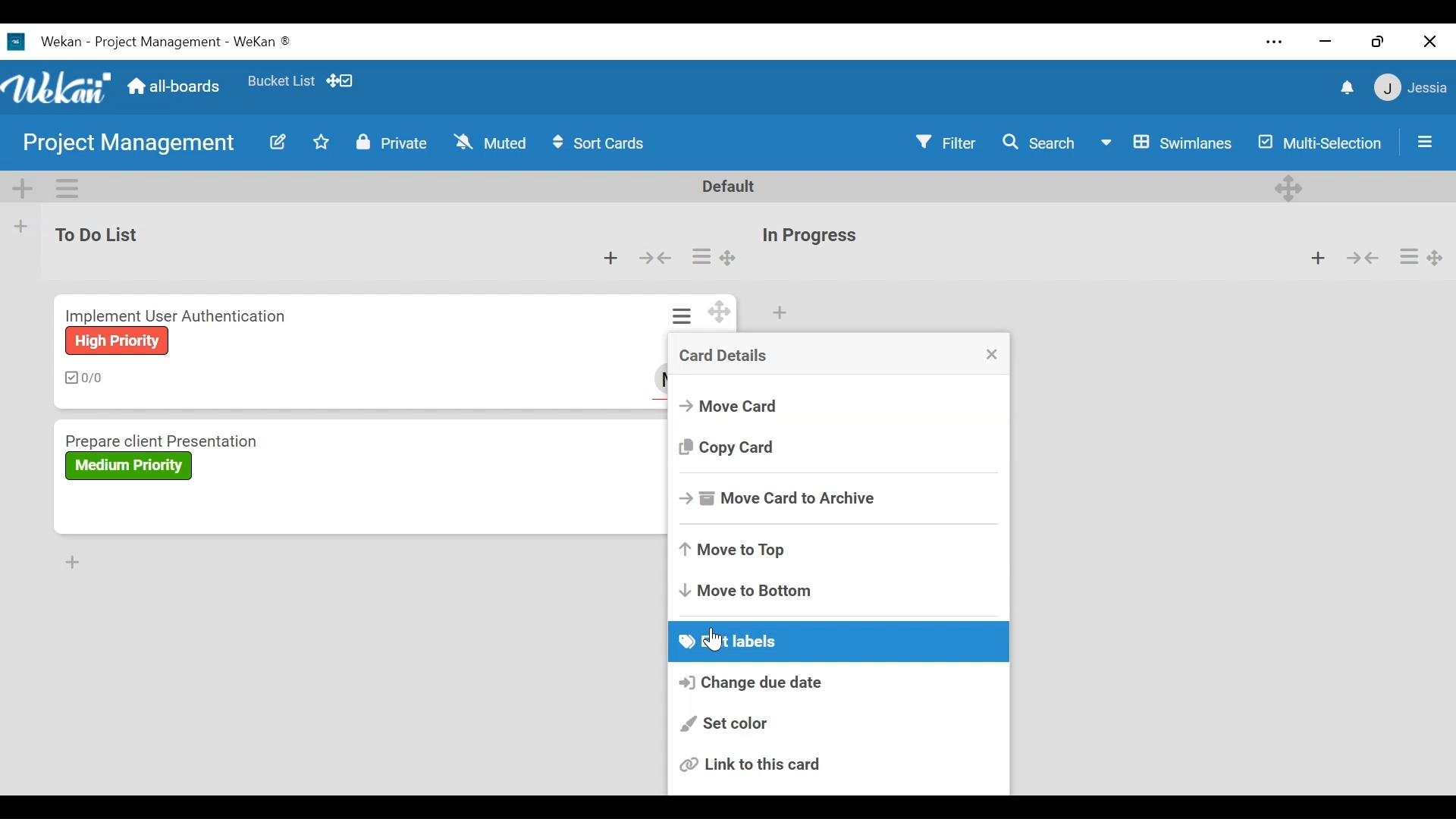 This screenshot has height=819, width=1456. Describe the element at coordinates (1436, 257) in the screenshot. I see `Desktop drag handle` at that location.